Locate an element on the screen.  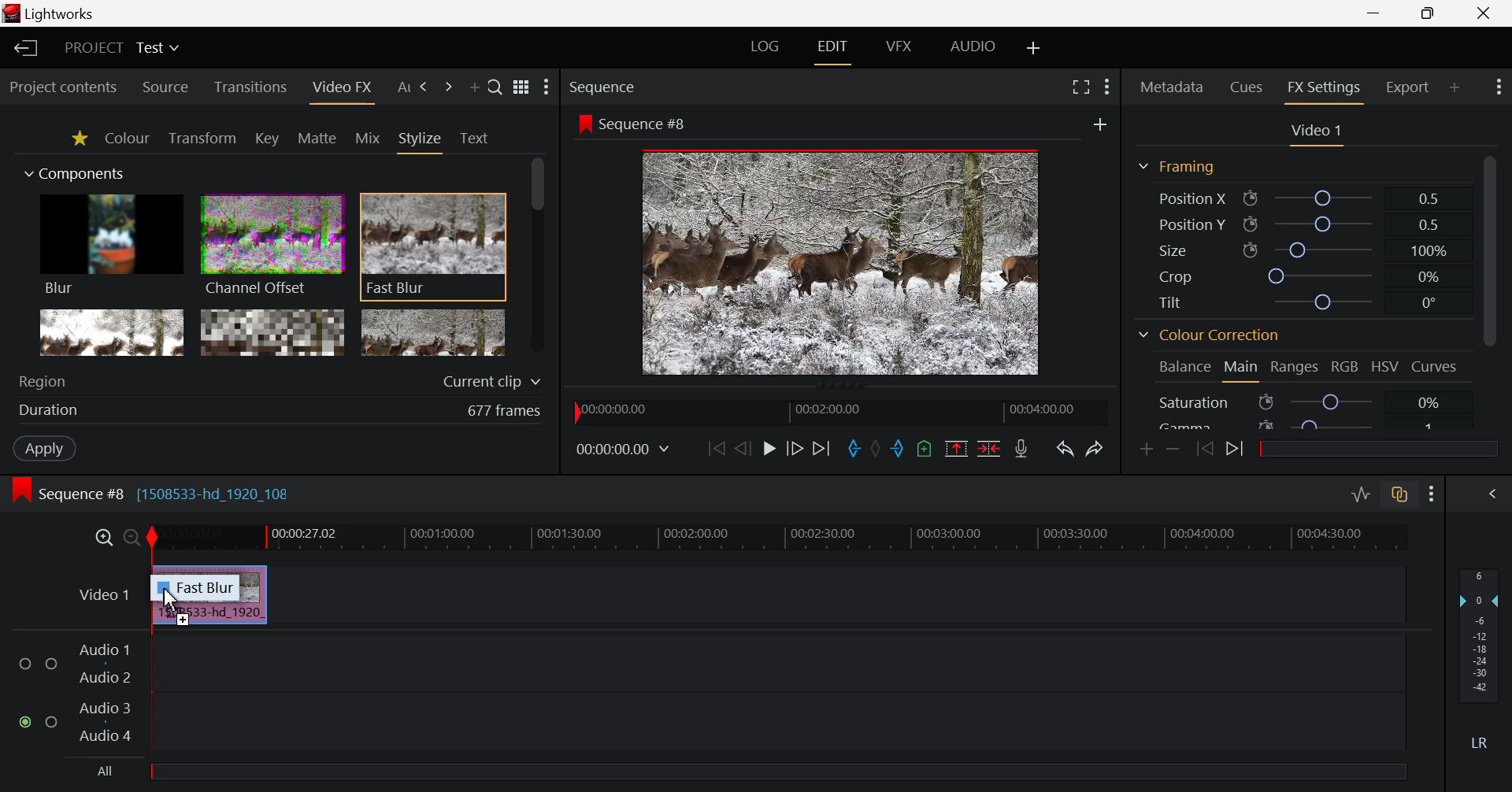
Saturation is located at coordinates (1303, 403).